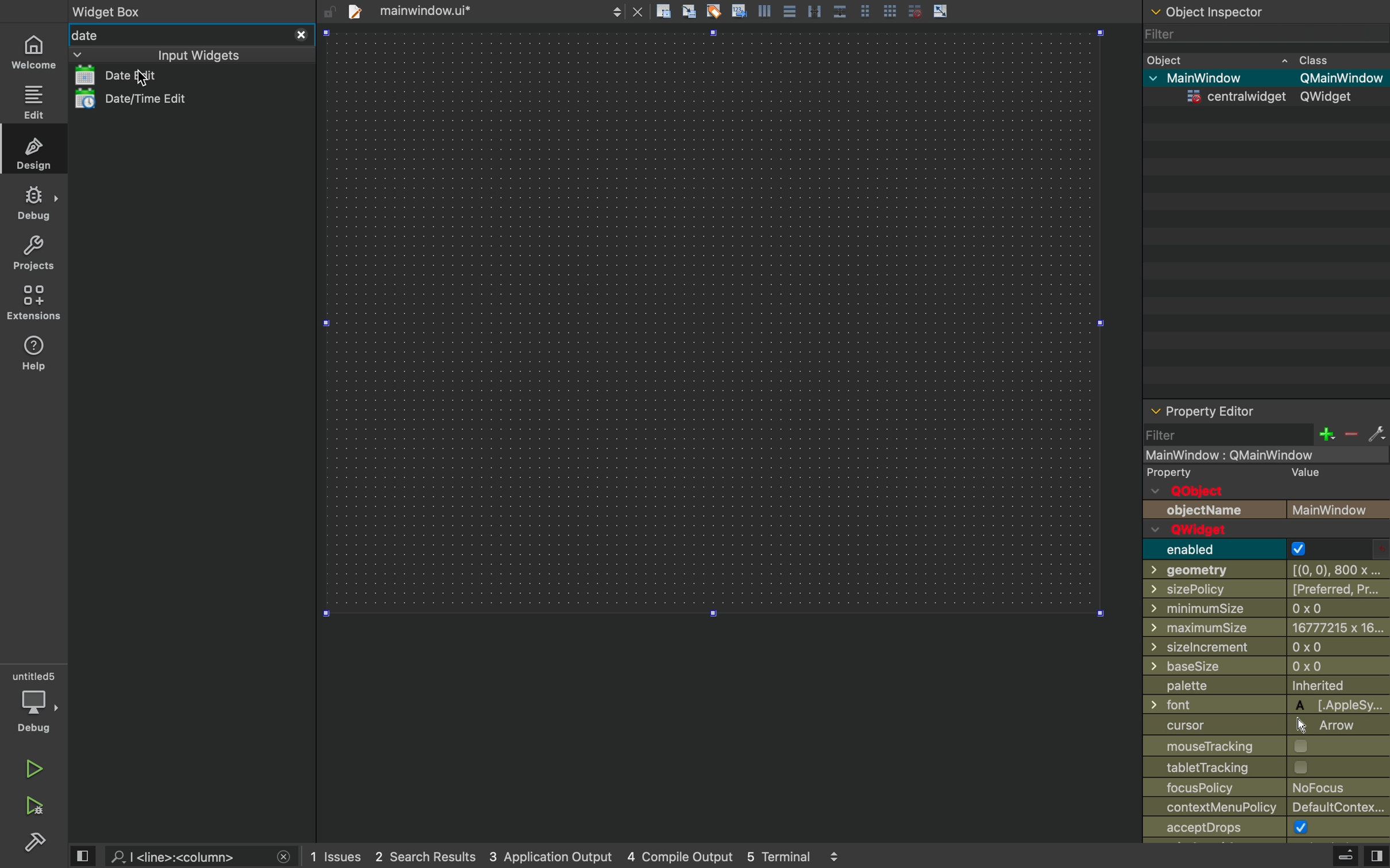 The height and width of the screenshot is (868, 1390). What do you see at coordinates (1226, 434) in the screenshot?
I see `filter` at bounding box center [1226, 434].